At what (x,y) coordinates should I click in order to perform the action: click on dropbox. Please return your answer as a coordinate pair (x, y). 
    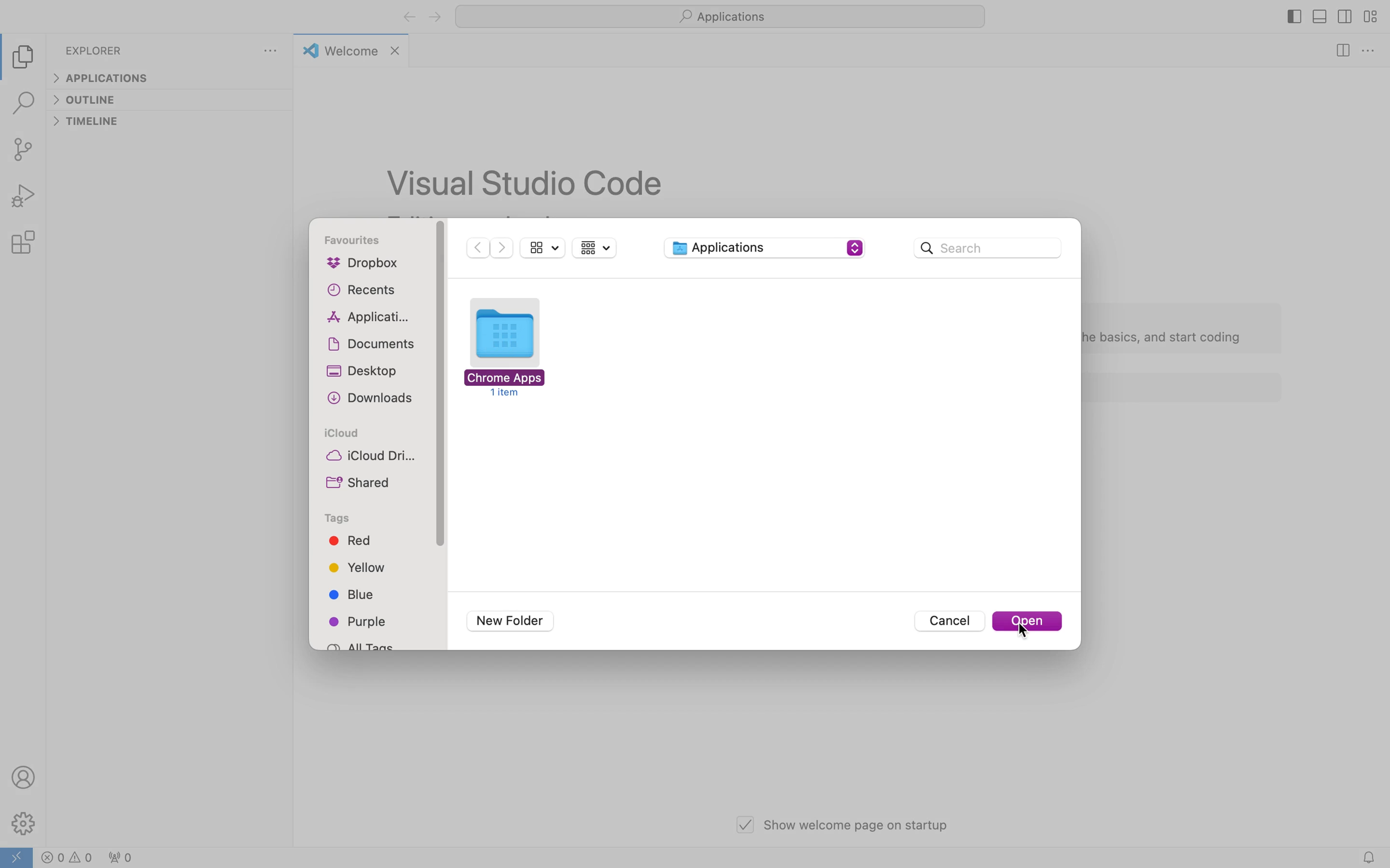
    Looking at the image, I should click on (369, 265).